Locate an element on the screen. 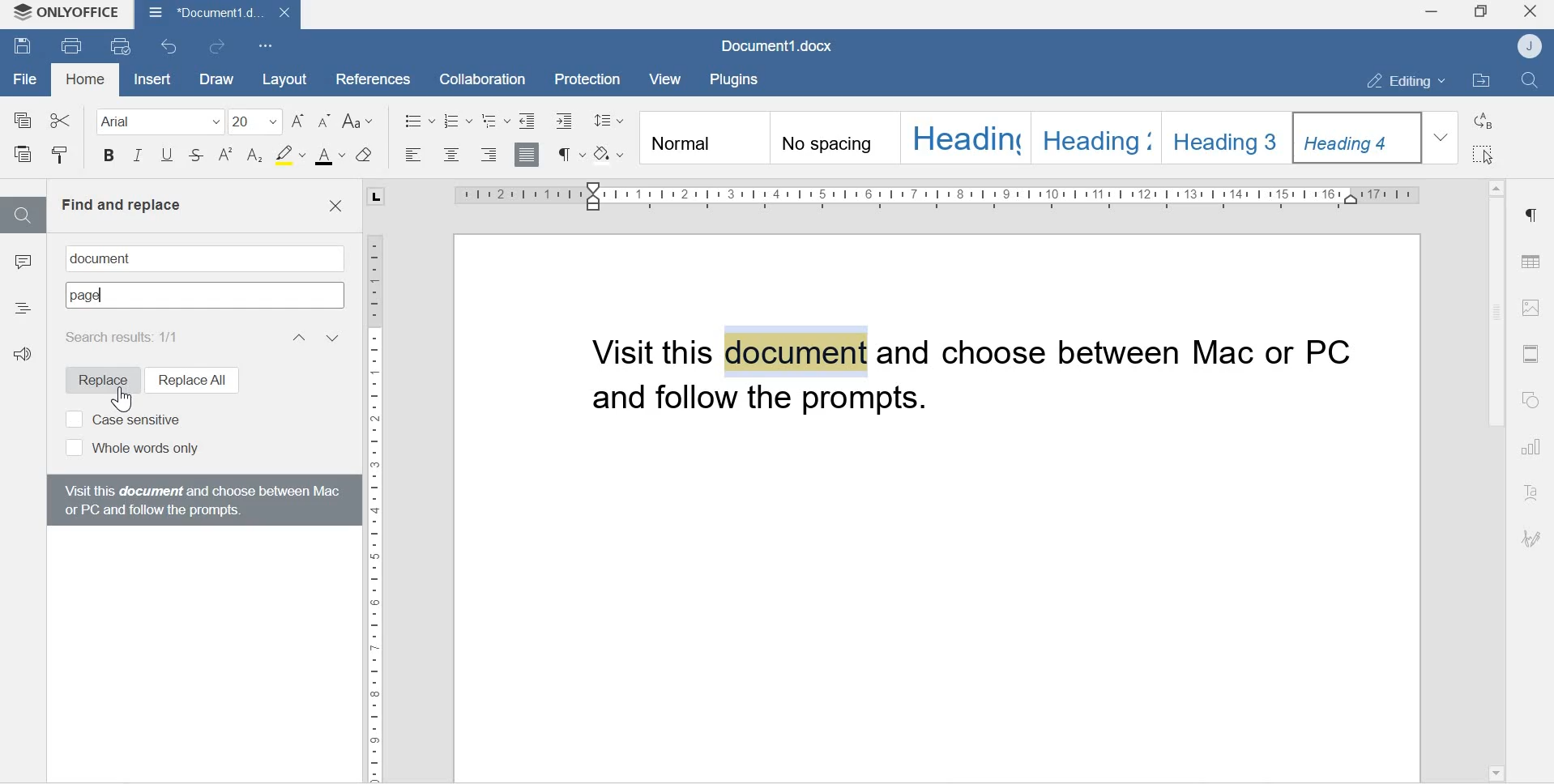  Undo is located at coordinates (172, 46).